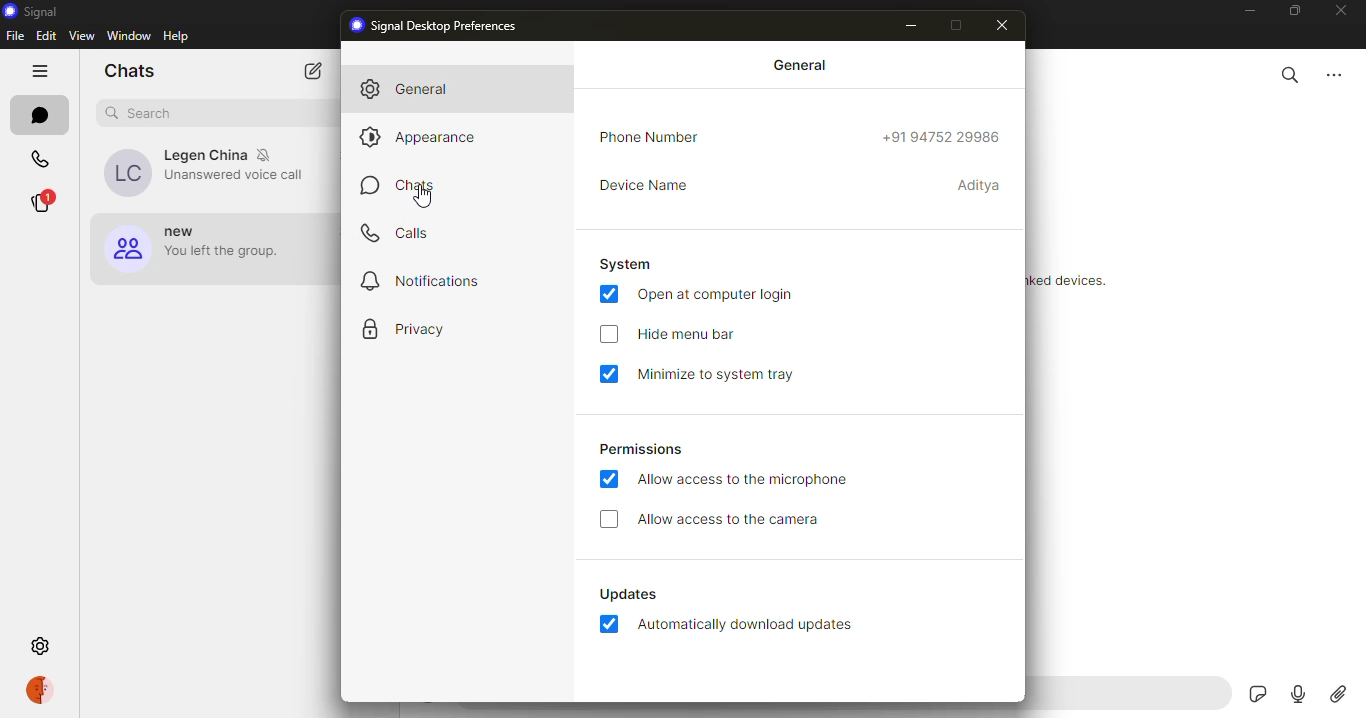 Image resolution: width=1366 pixels, height=718 pixels. What do you see at coordinates (1006, 25) in the screenshot?
I see `close` at bounding box center [1006, 25].